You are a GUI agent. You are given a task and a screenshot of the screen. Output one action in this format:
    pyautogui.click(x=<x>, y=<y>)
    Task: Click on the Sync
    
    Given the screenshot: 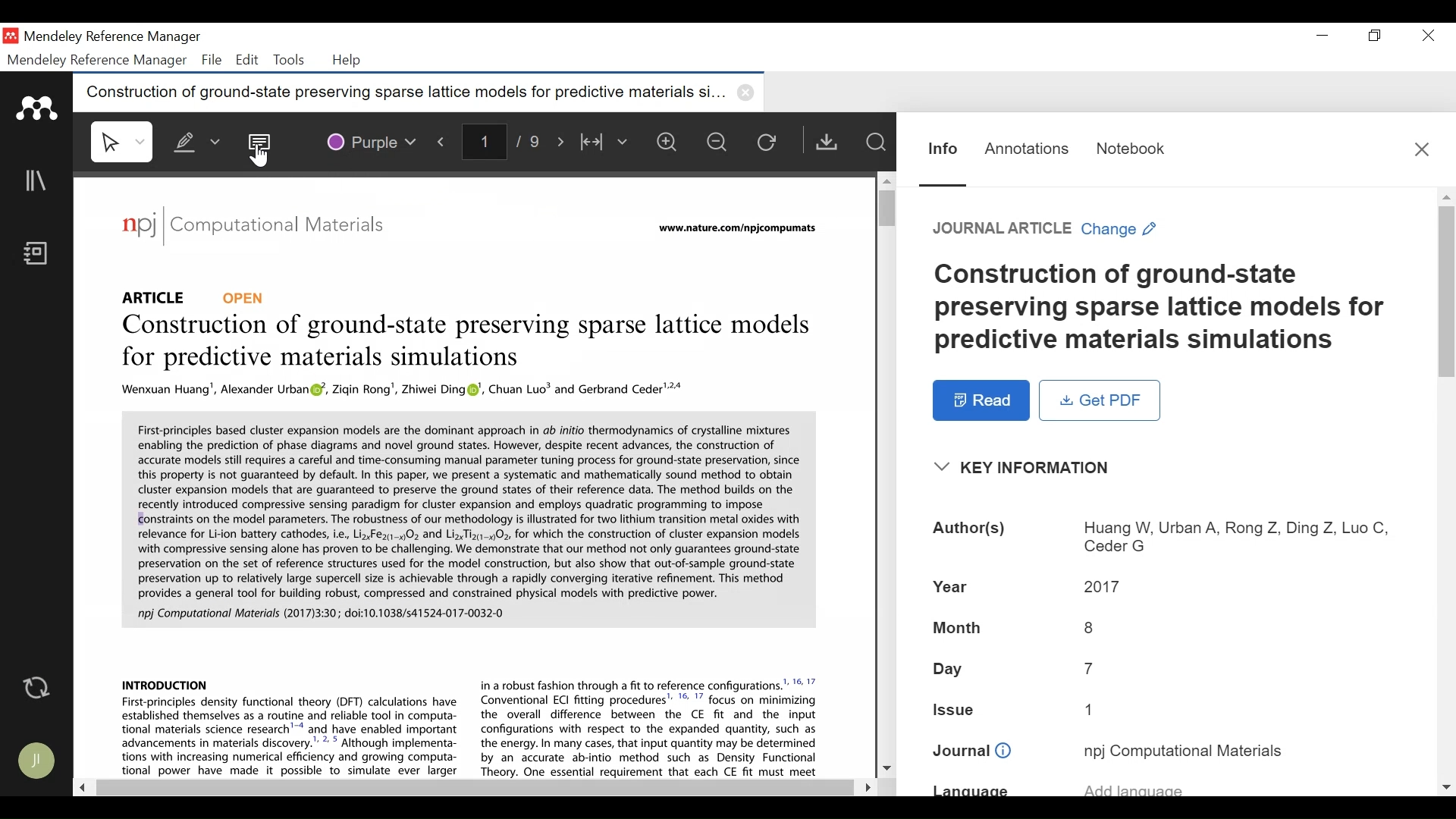 What is the action you would take?
    pyautogui.click(x=37, y=689)
    